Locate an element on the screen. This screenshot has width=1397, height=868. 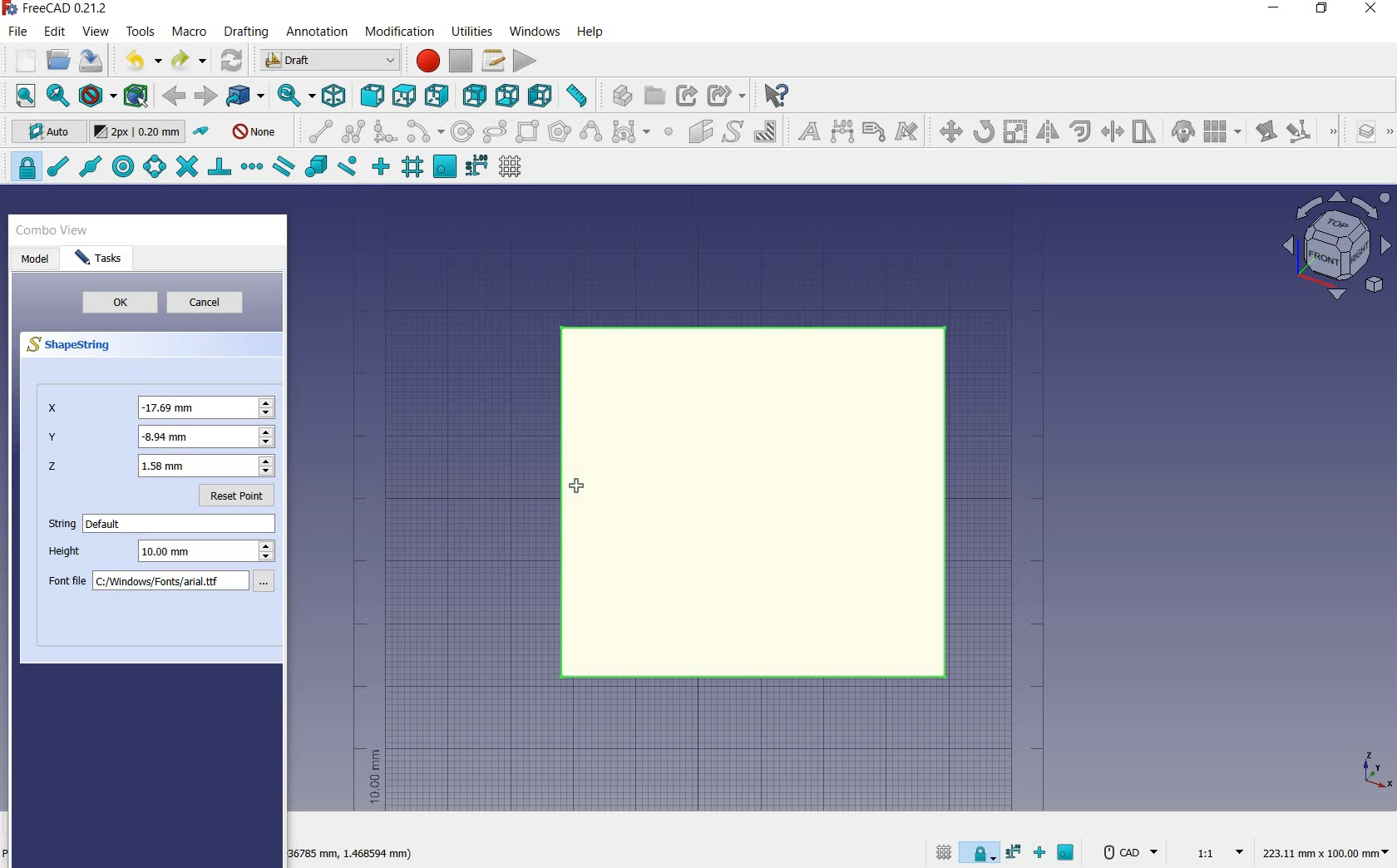
create part is located at coordinates (619, 95).